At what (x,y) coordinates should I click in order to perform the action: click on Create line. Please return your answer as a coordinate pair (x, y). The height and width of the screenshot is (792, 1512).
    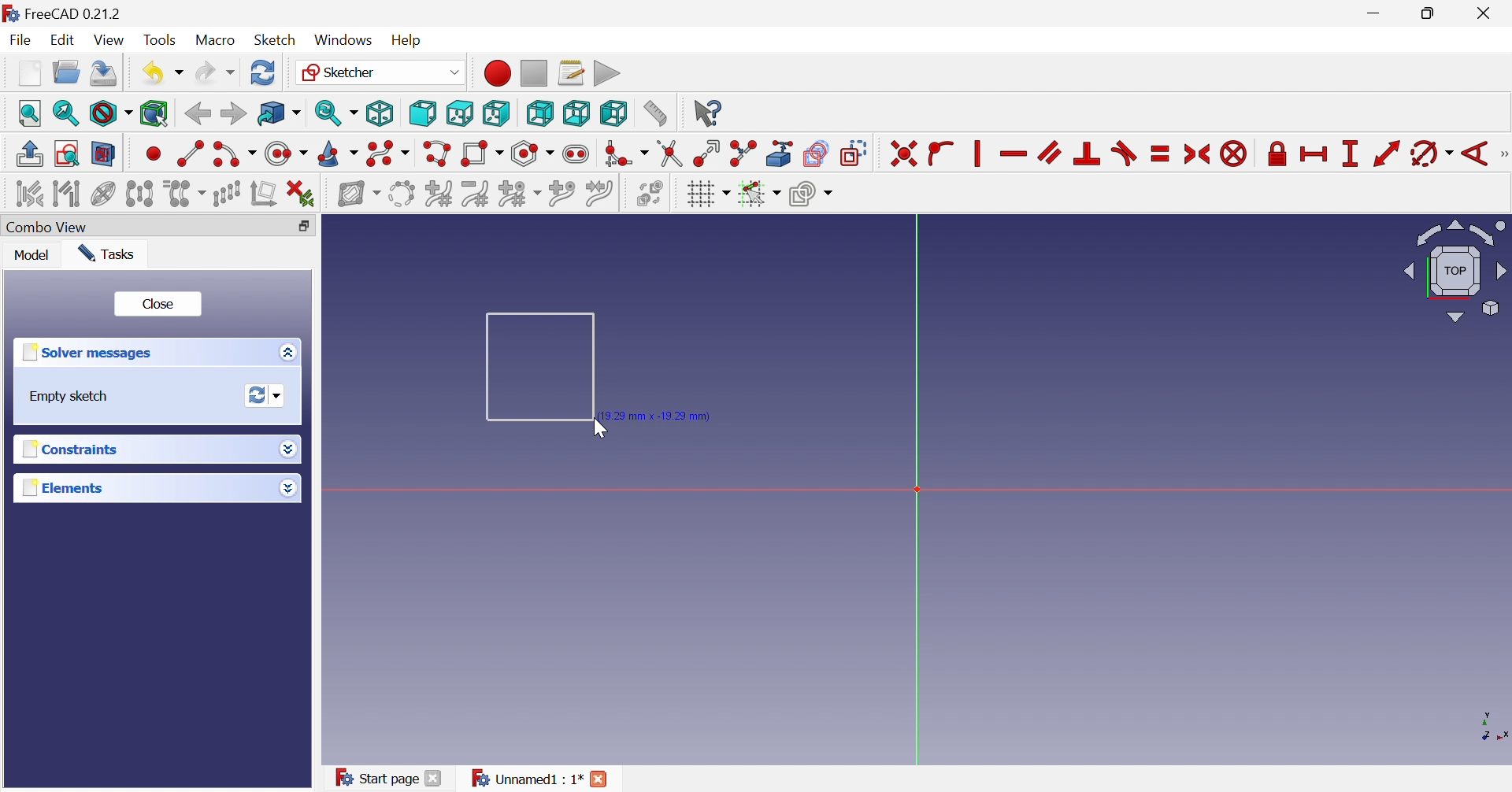
    Looking at the image, I should click on (190, 152).